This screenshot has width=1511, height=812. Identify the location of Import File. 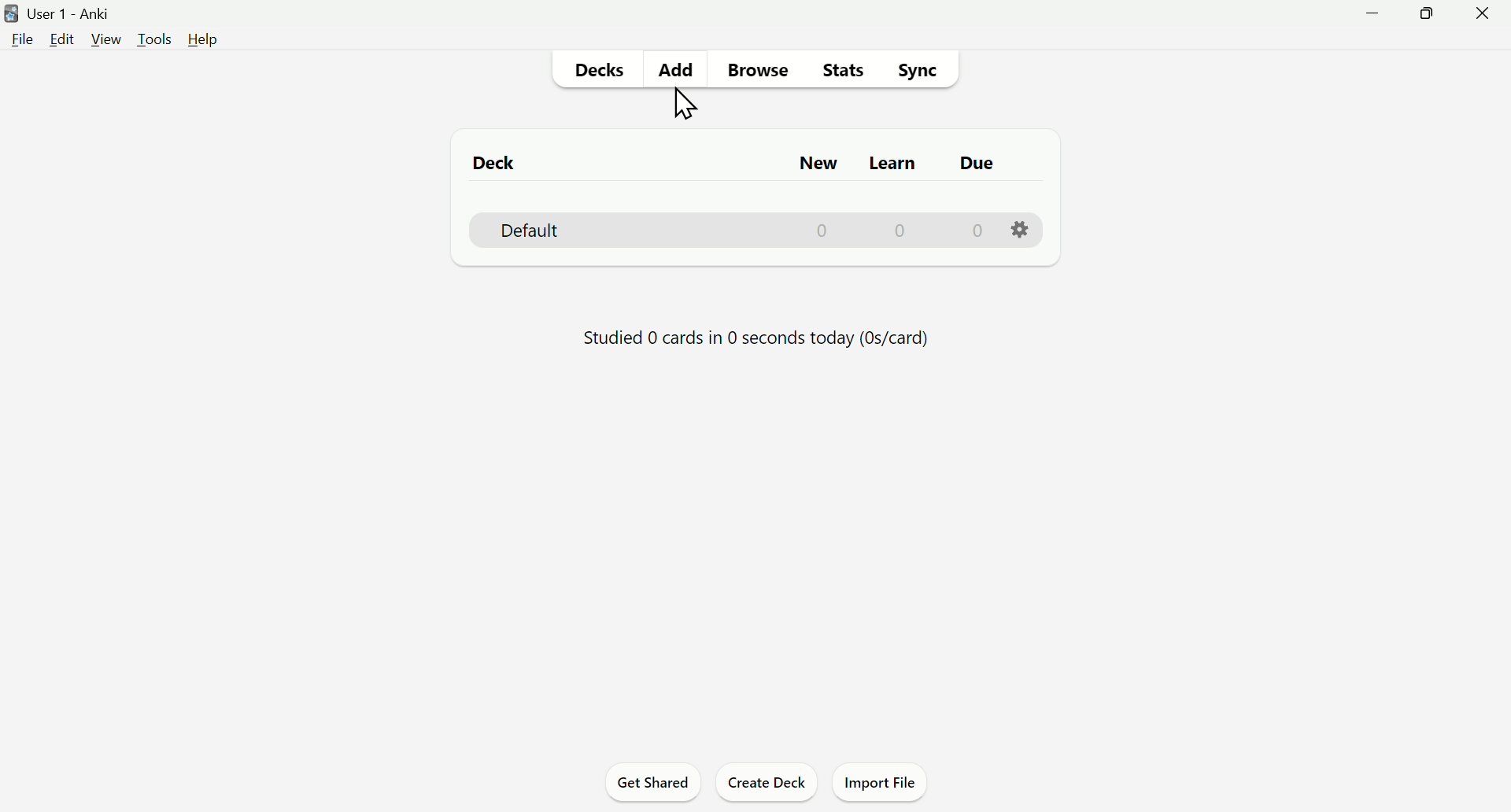
(877, 783).